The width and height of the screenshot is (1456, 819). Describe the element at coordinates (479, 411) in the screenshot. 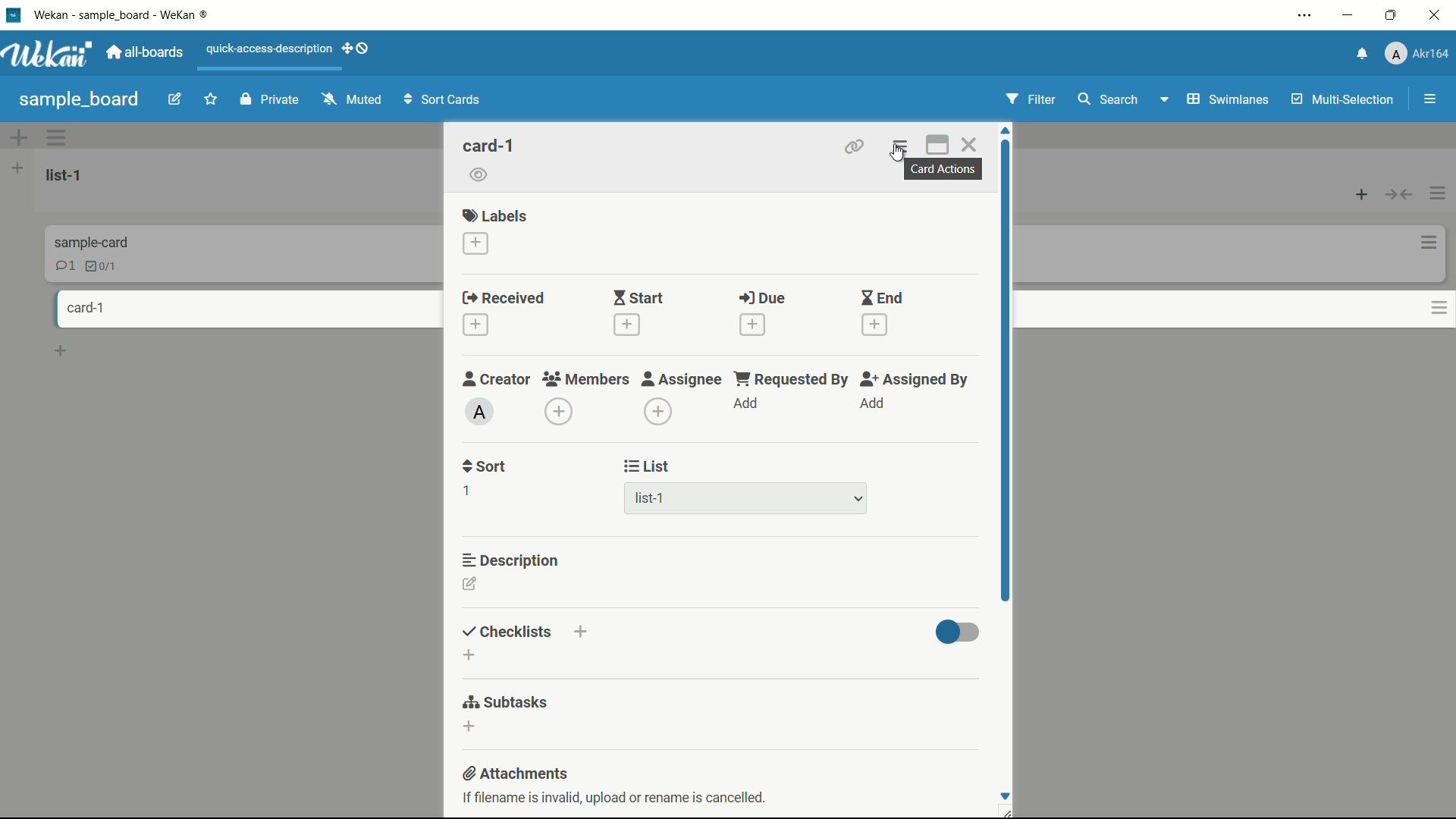

I see `admin` at that location.